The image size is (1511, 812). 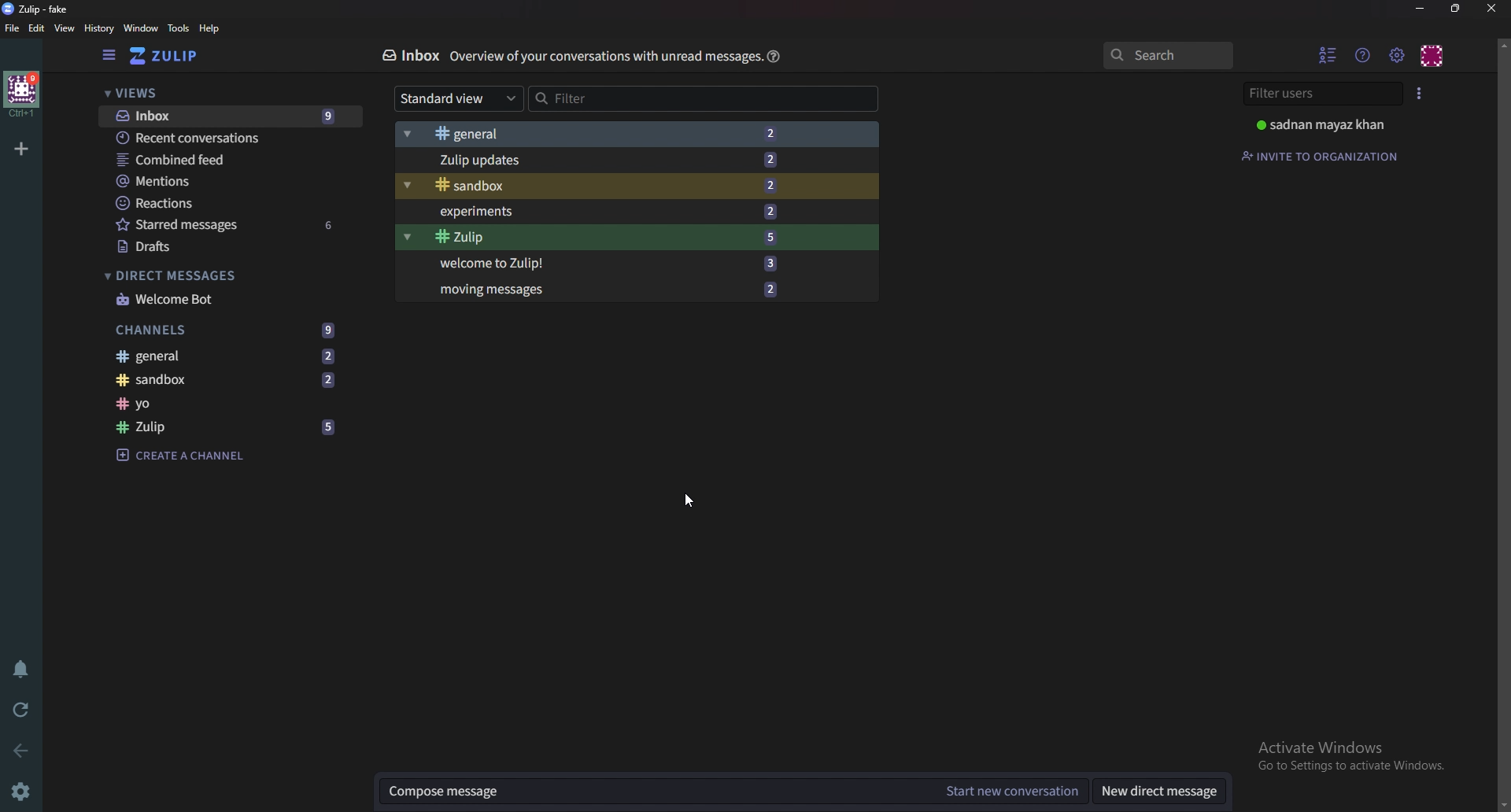 What do you see at coordinates (217, 137) in the screenshot?
I see `Recent conversations` at bounding box center [217, 137].